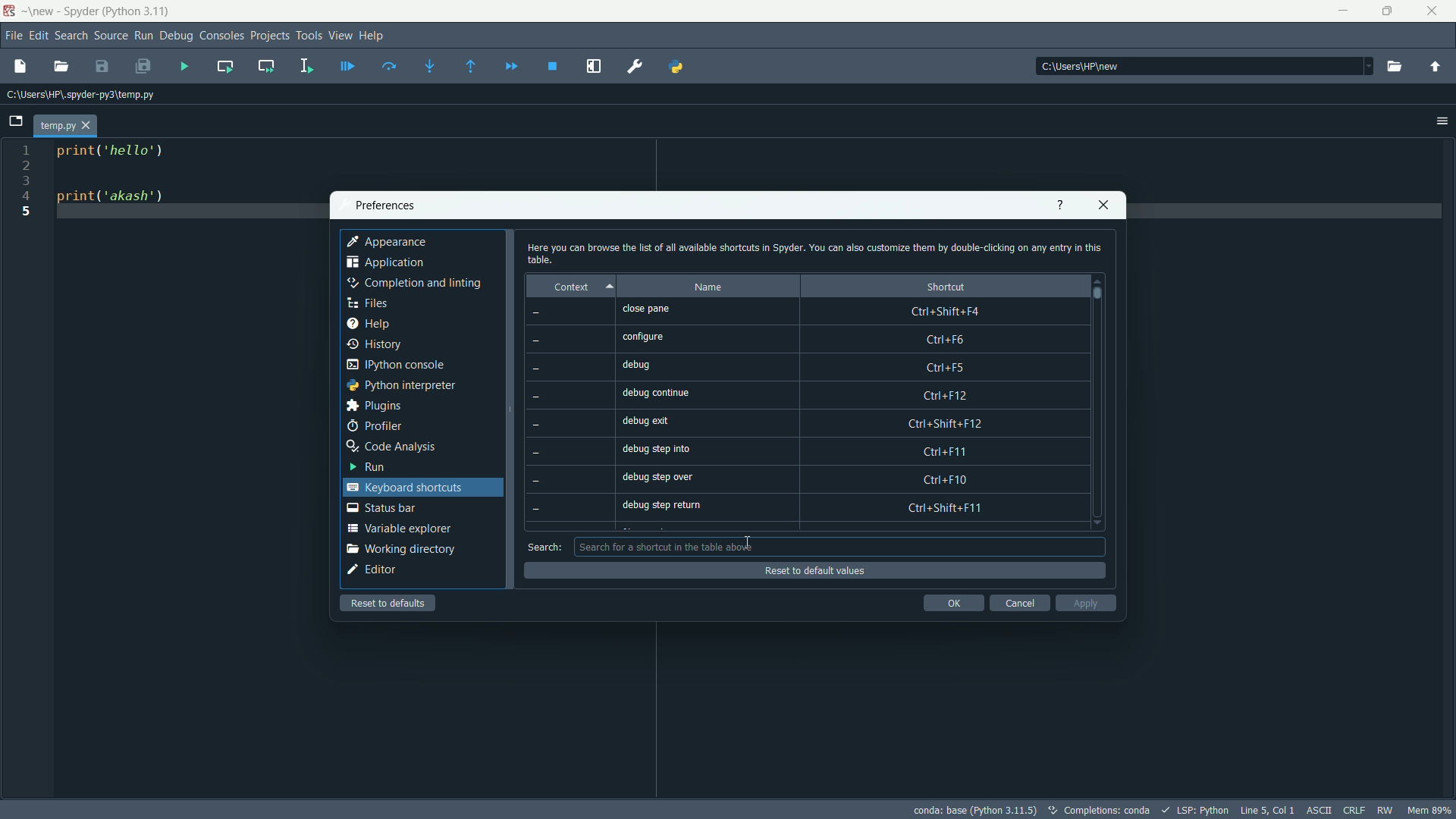  I want to click on ~\new - Spyder (Python 3.11), so click(99, 12).